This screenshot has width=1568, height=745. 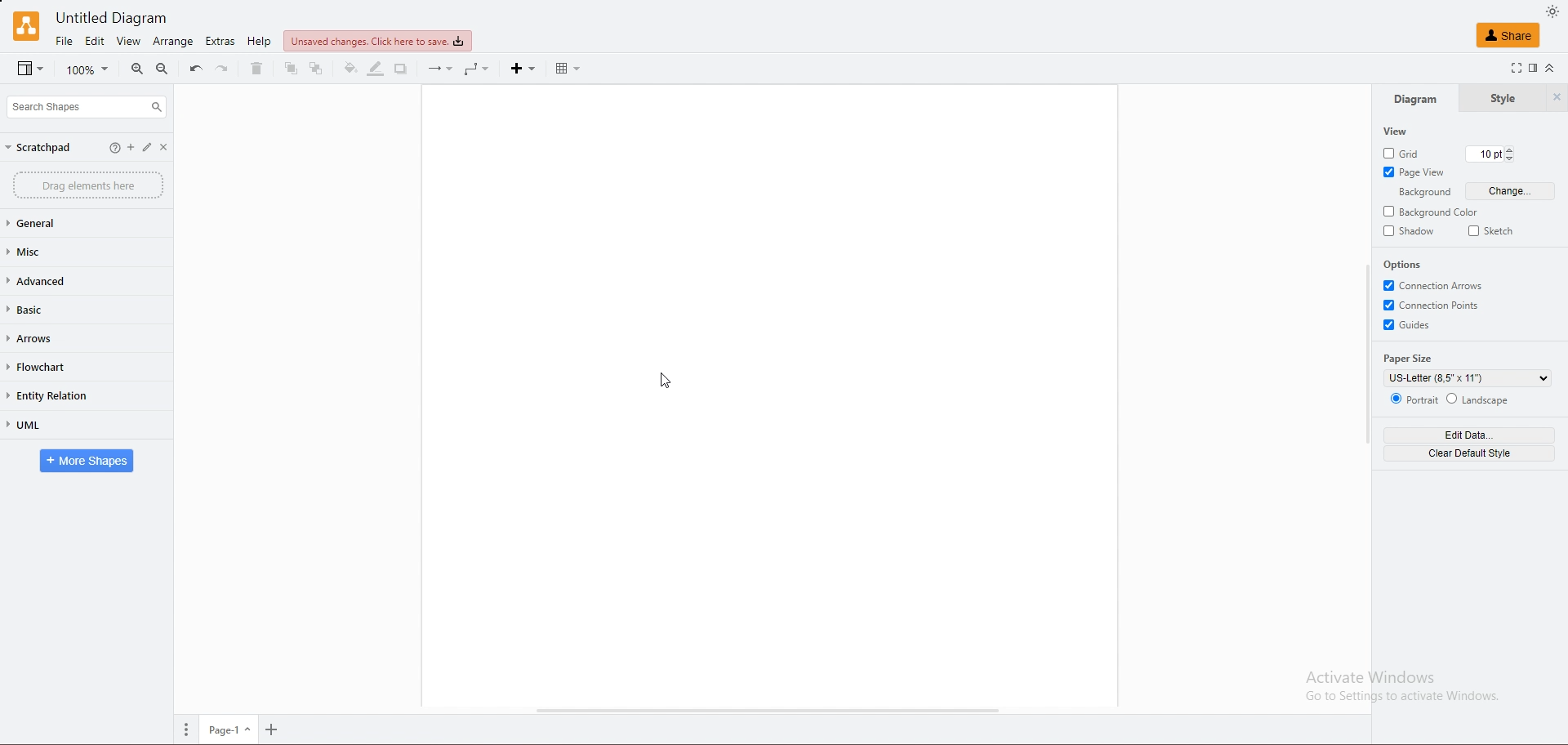 What do you see at coordinates (261, 41) in the screenshot?
I see `help` at bounding box center [261, 41].